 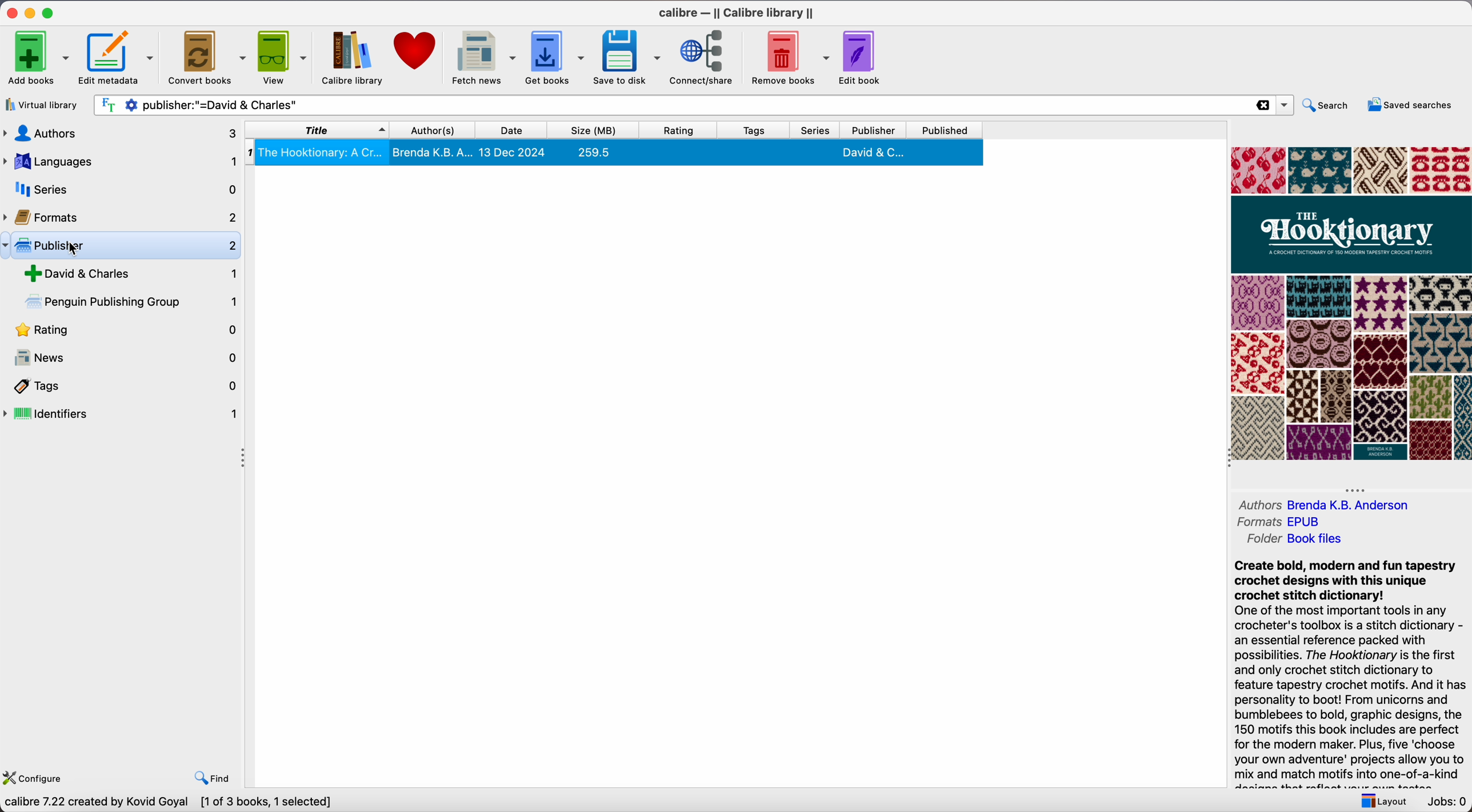 I want to click on virtual library, so click(x=44, y=105).